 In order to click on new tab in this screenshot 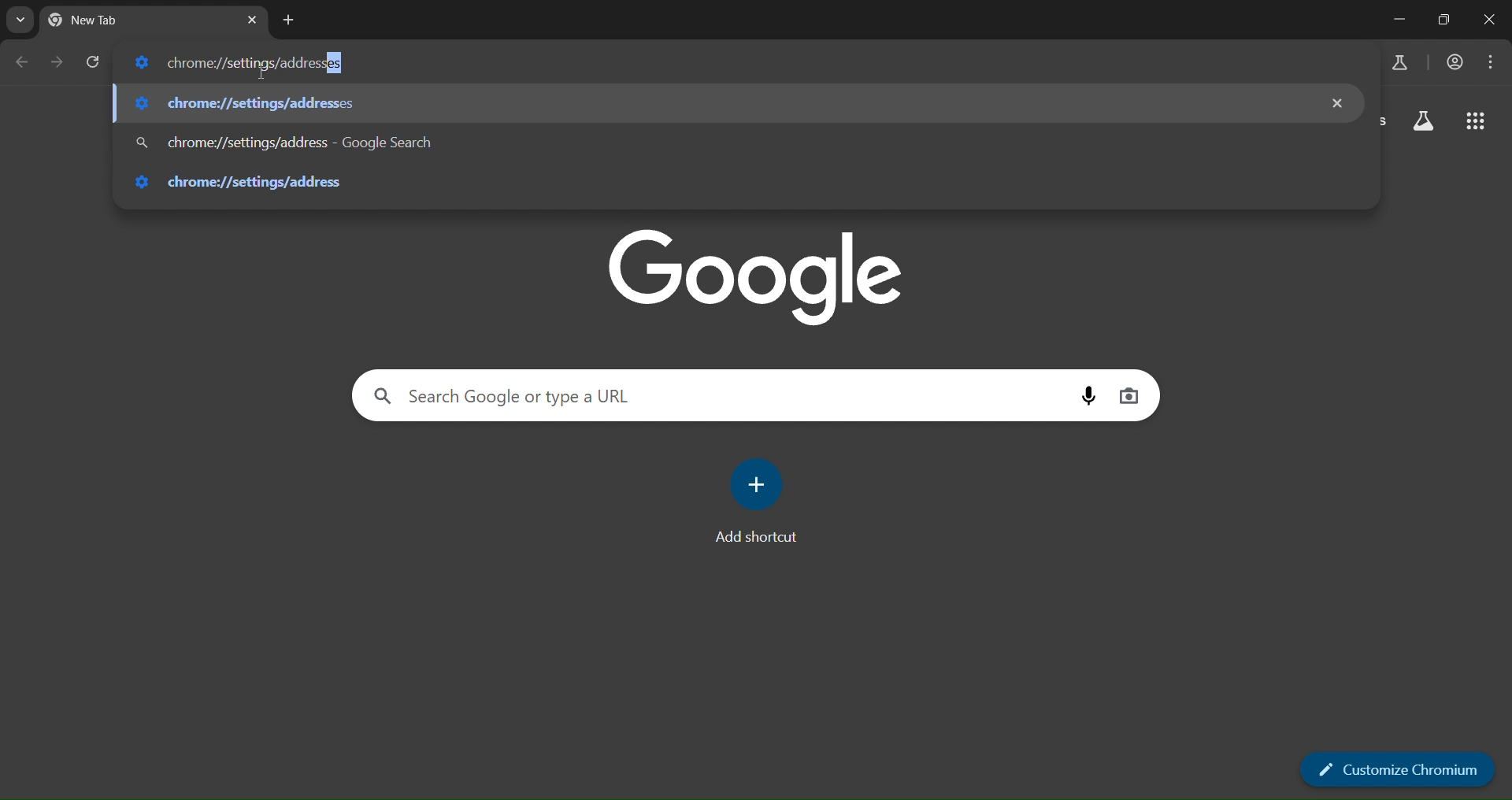, I will do `click(289, 18)`.